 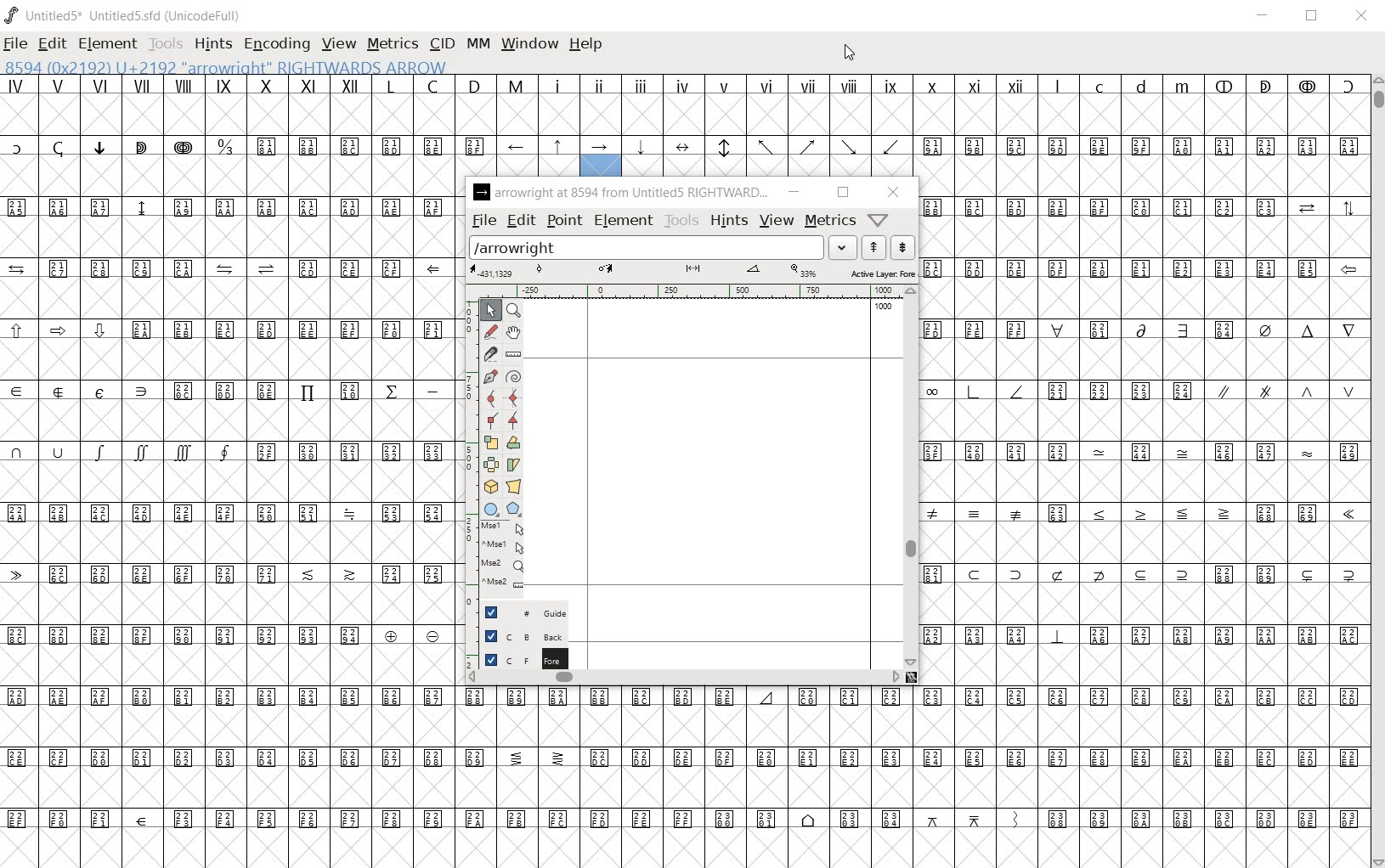 I want to click on Help/Window, so click(x=879, y=220).